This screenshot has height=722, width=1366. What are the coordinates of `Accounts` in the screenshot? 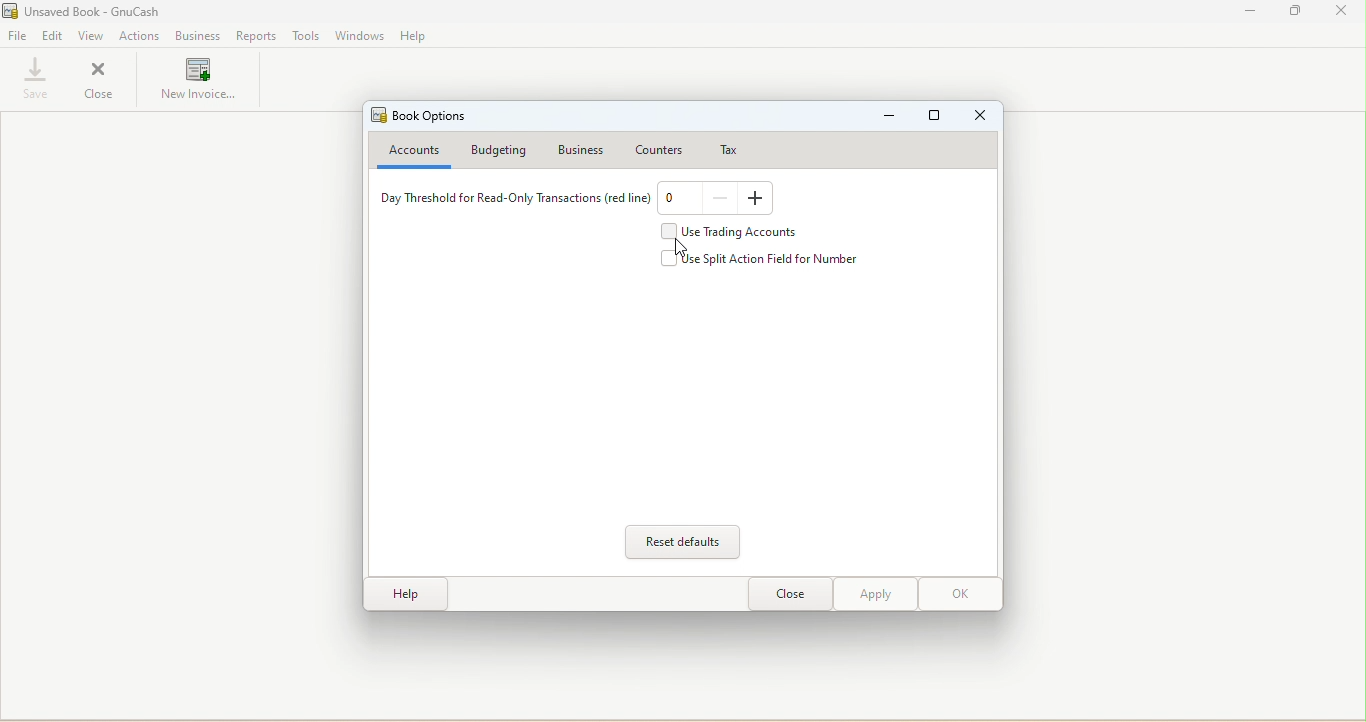 It's located at (411, 152).